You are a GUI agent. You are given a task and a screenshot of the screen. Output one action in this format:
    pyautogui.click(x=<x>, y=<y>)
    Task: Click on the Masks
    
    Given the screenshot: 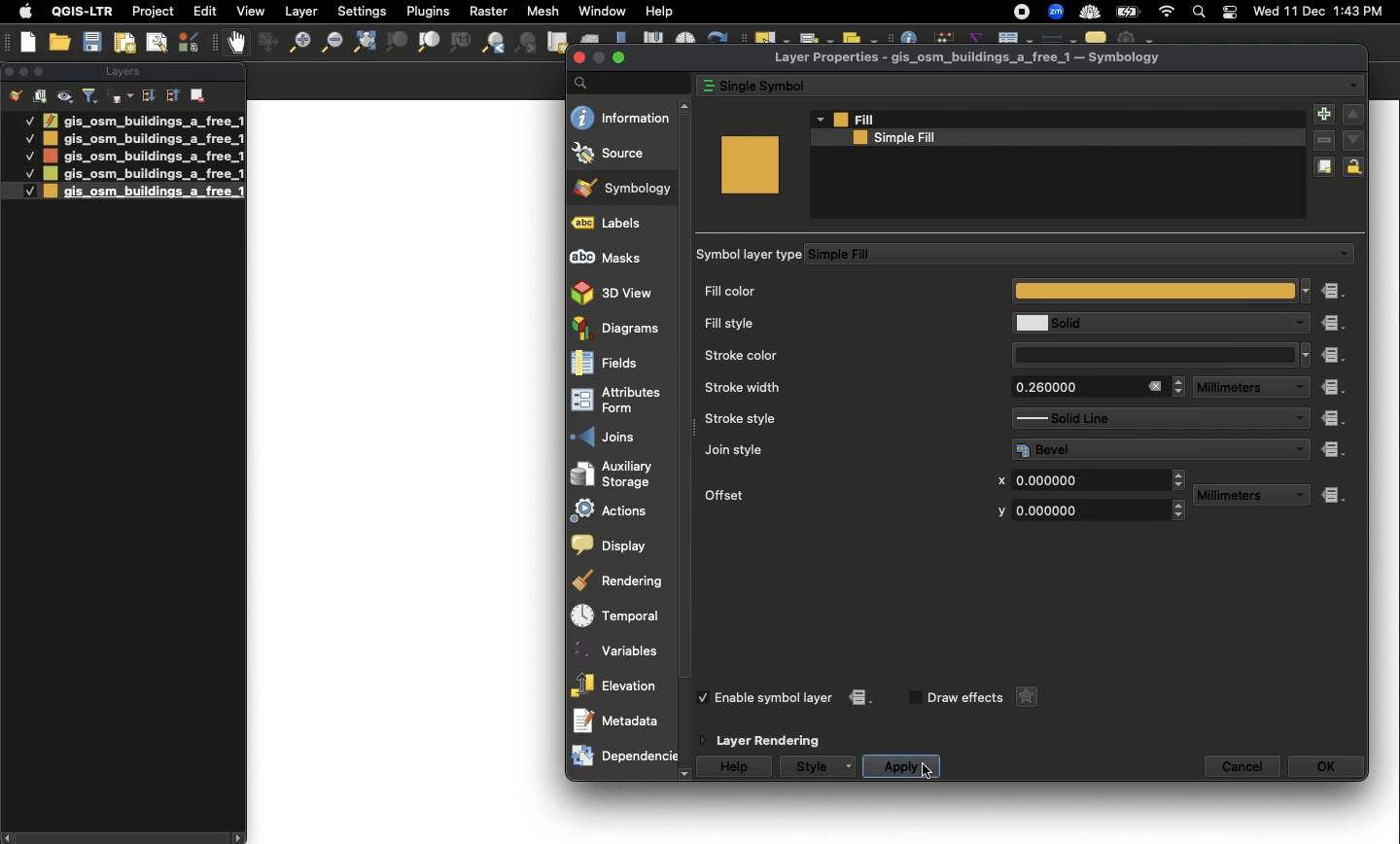 What is the action you would take?
    pyautogui.click(x=620, y=257)
    